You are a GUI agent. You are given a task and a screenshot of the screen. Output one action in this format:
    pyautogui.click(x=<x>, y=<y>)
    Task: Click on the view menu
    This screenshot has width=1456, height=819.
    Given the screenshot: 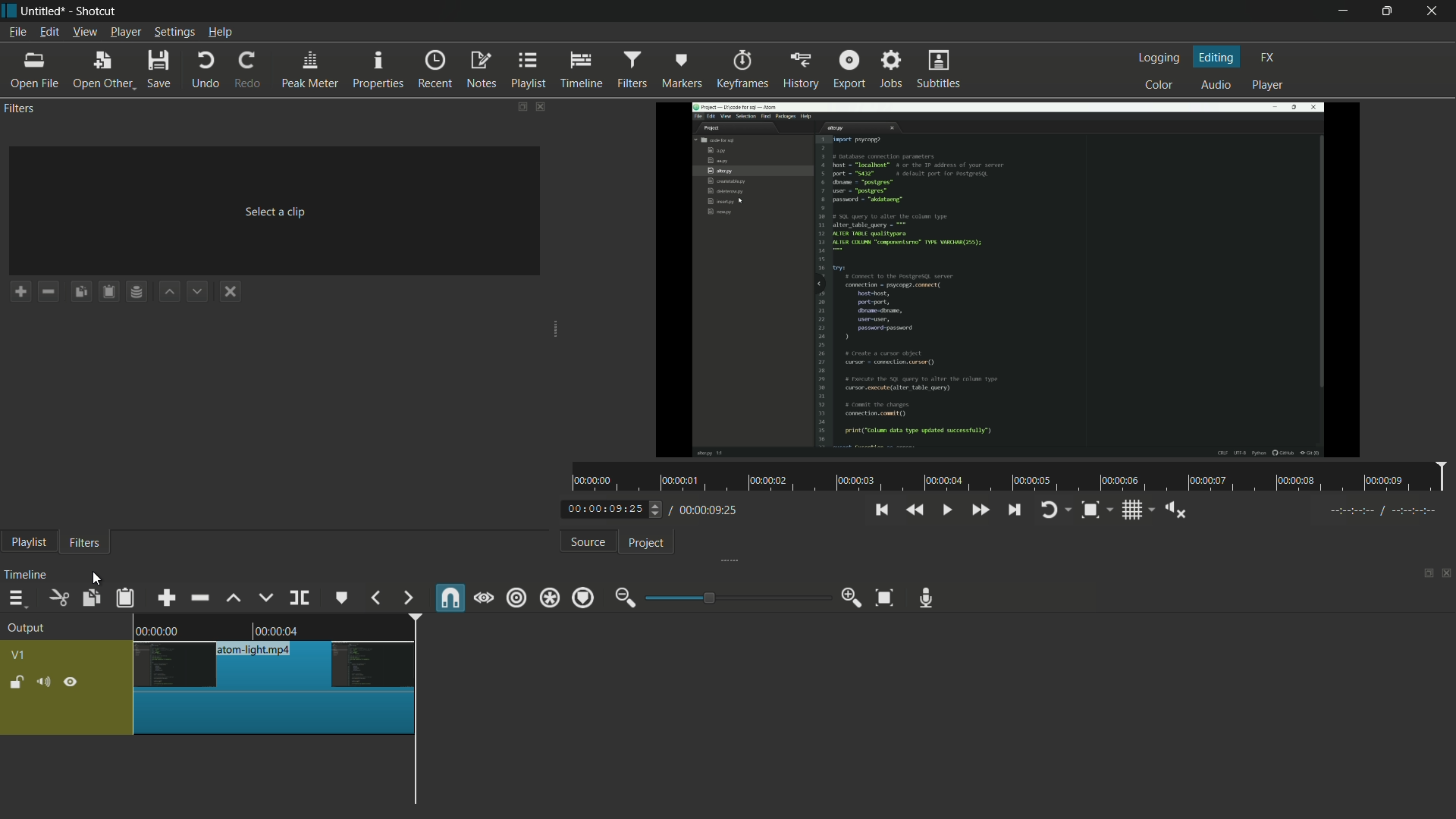 What is the action you would take?
    pyautogui.click(x=83, y=33)
    